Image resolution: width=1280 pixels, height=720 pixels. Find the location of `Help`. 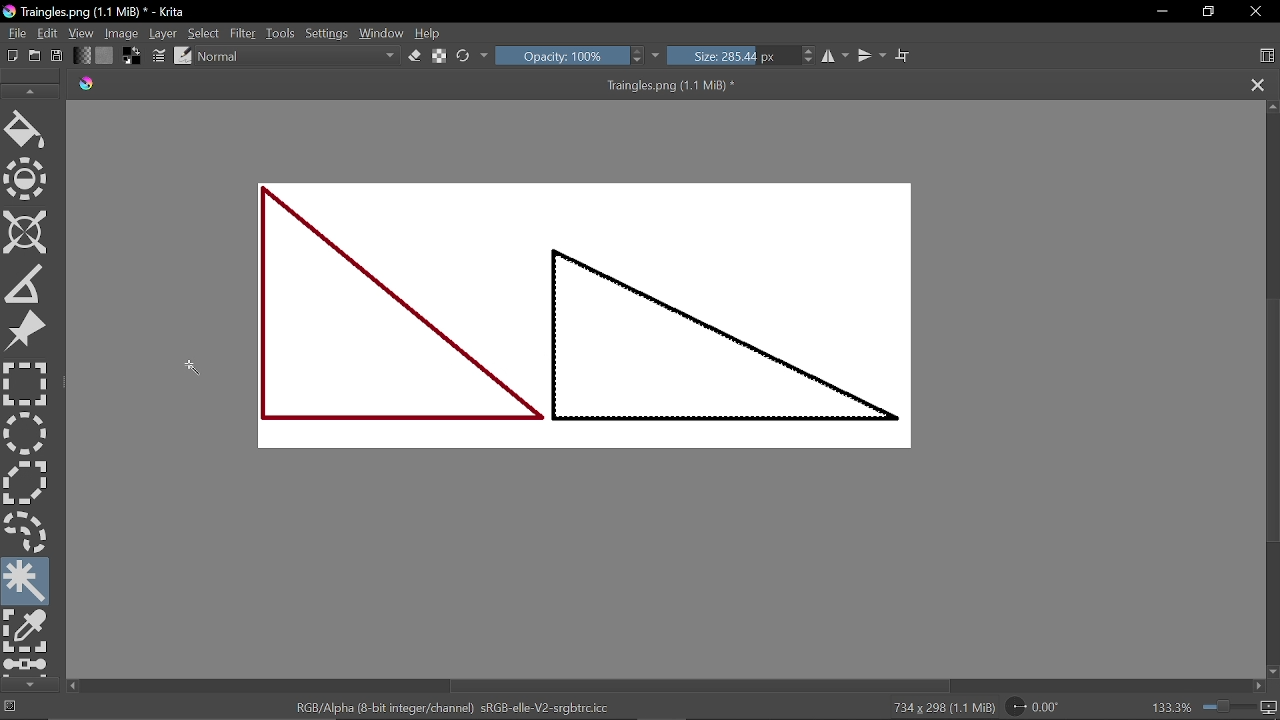

Help is located at coordinates (430, 31).